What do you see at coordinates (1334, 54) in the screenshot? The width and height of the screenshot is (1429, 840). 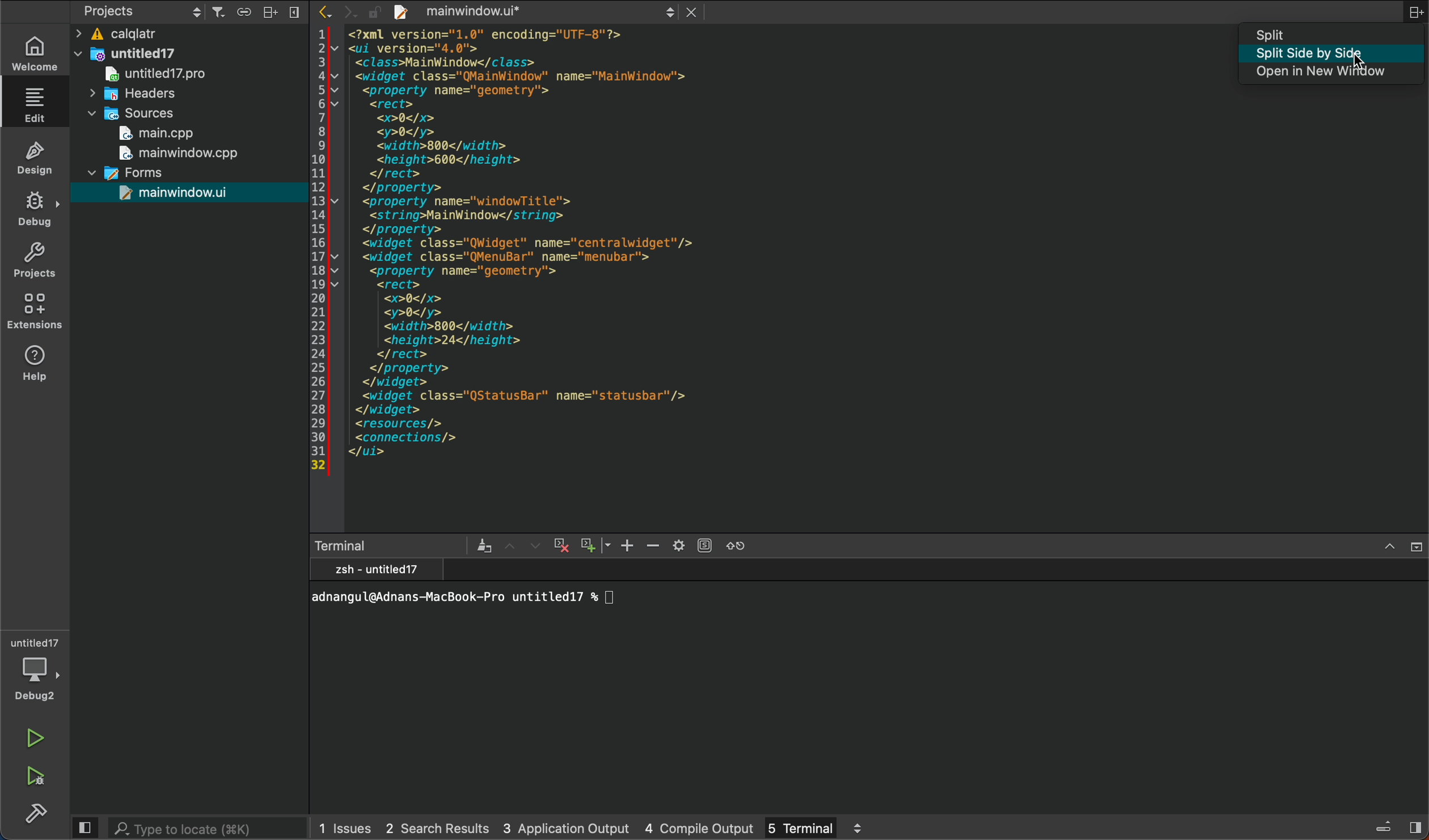 I see `split side by side` at bounding box center [1334, 54].